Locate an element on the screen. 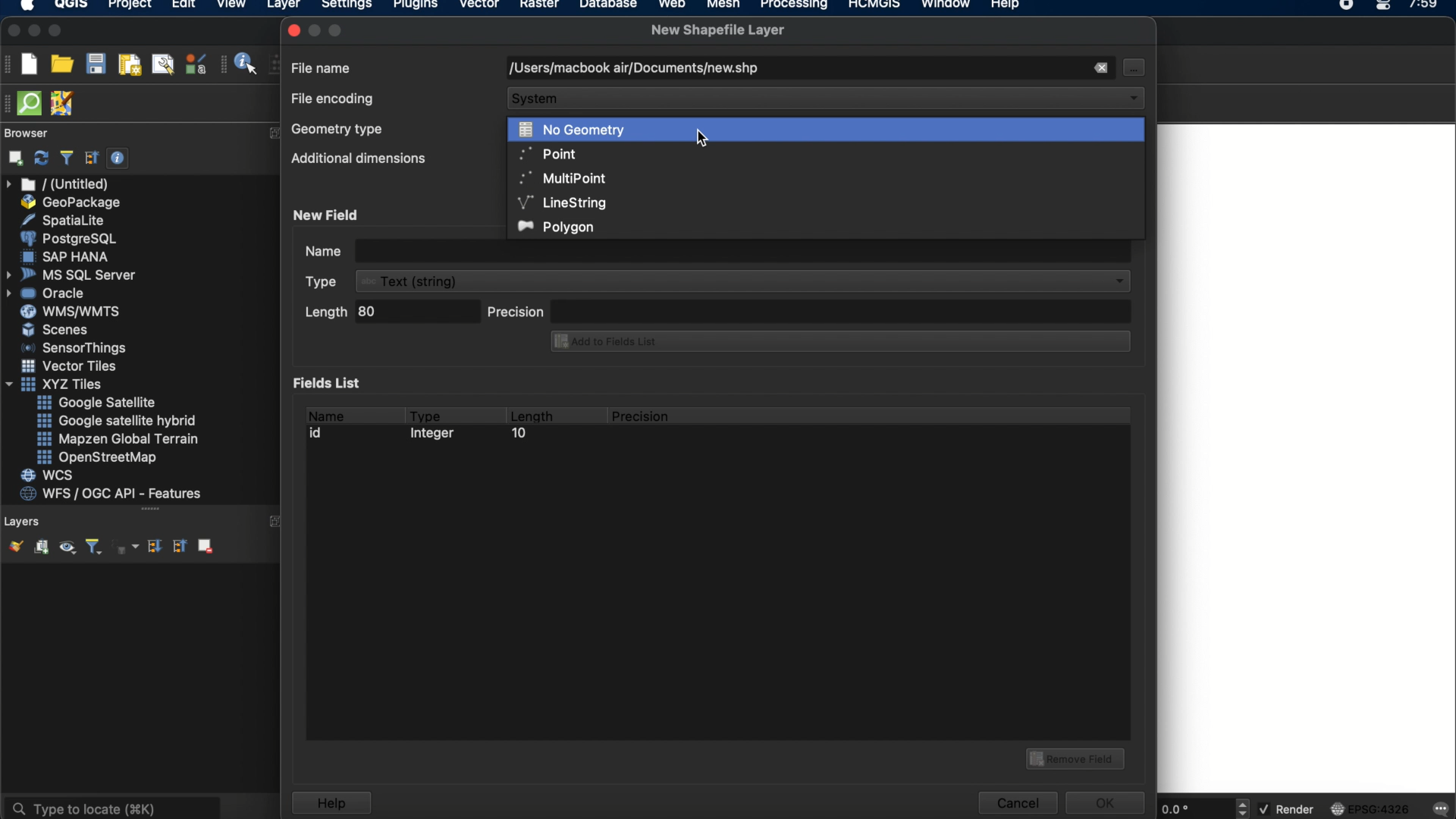 The height and width of the screenshot is (819, 1456). close is located at coordinates (293, 30).